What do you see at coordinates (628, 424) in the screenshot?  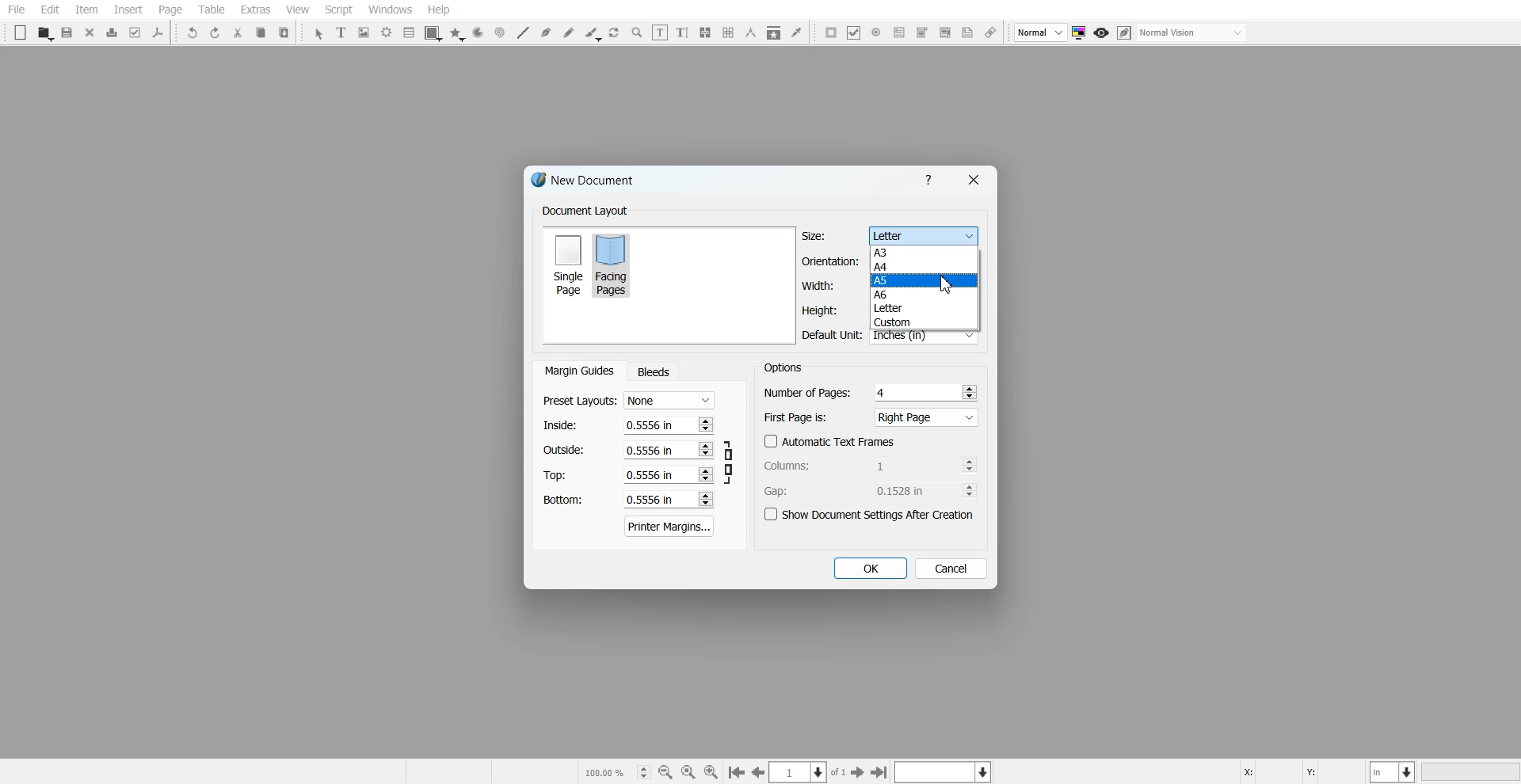 I see `Left margin adjuster` at bounding box center [628, 424].